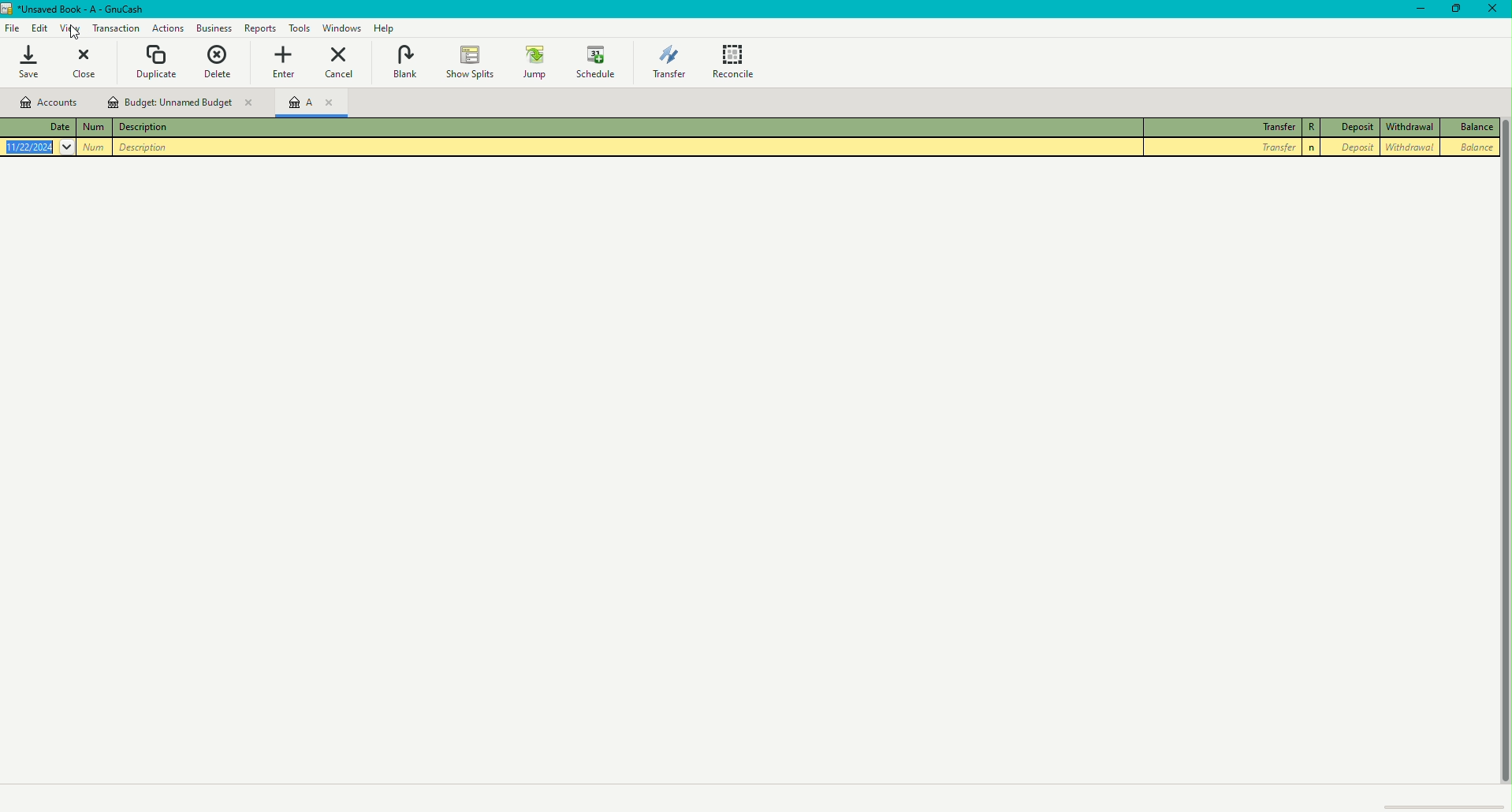 The height and width of the screenshot is (812, 1512). Describe the element at coordinates (1410, 129) in the screenshot. I see `Withdrawal` at that location.